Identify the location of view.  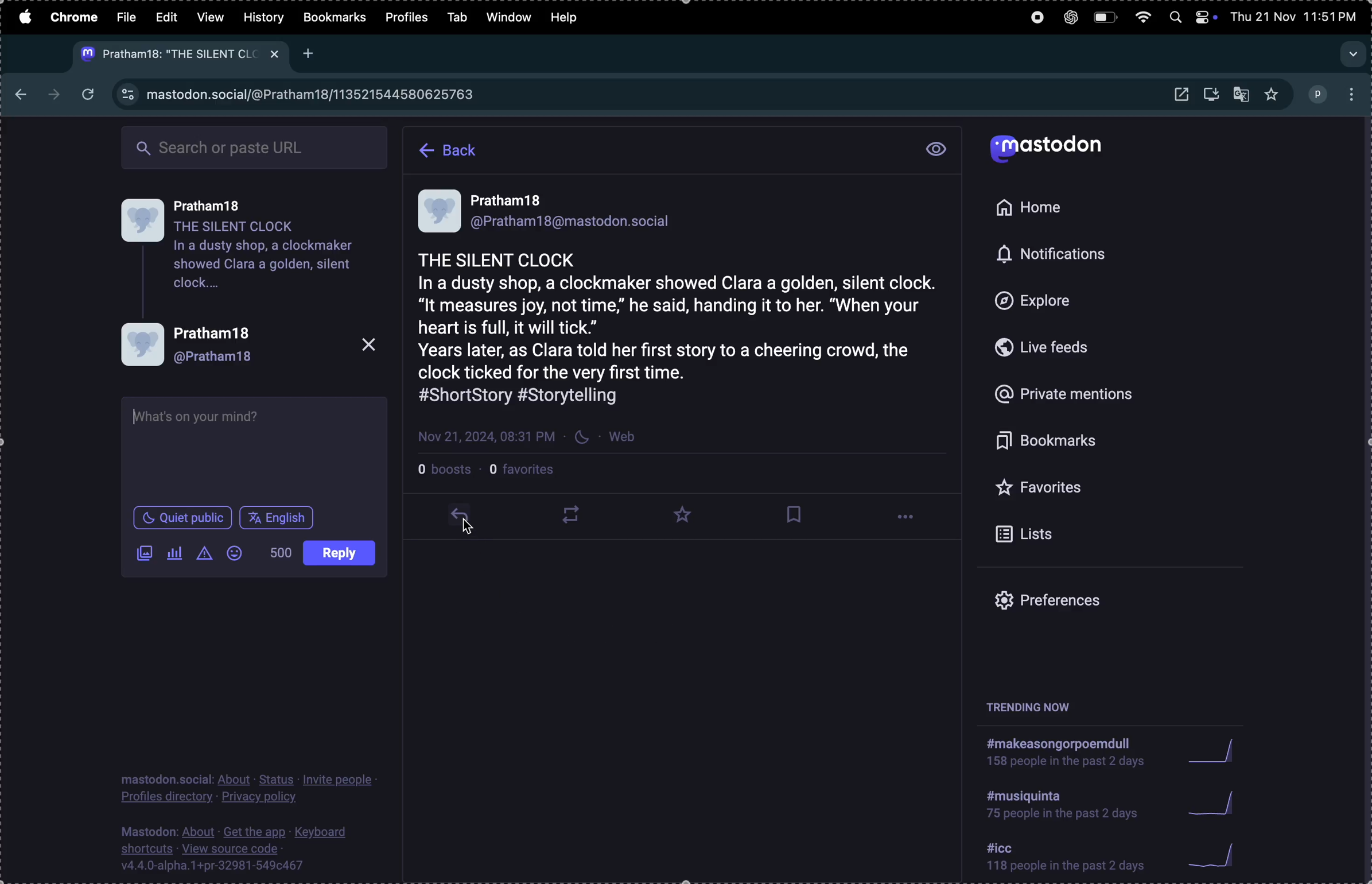
(936, 149).